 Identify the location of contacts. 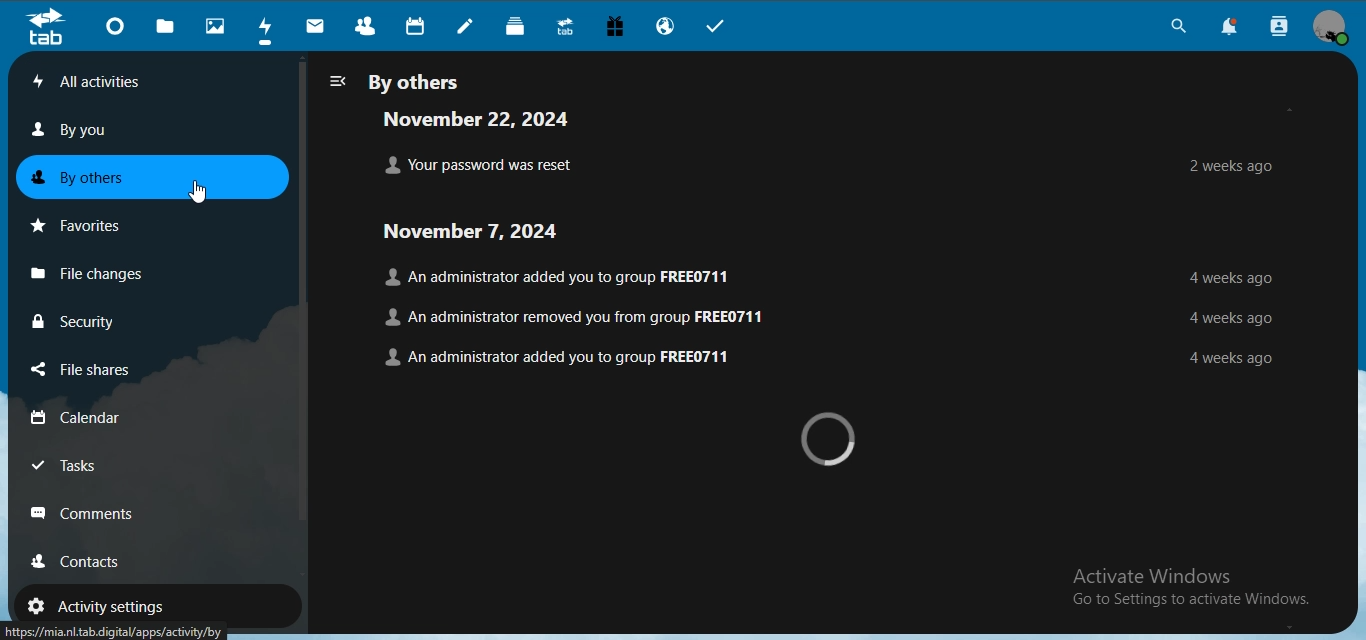
(366, 23).